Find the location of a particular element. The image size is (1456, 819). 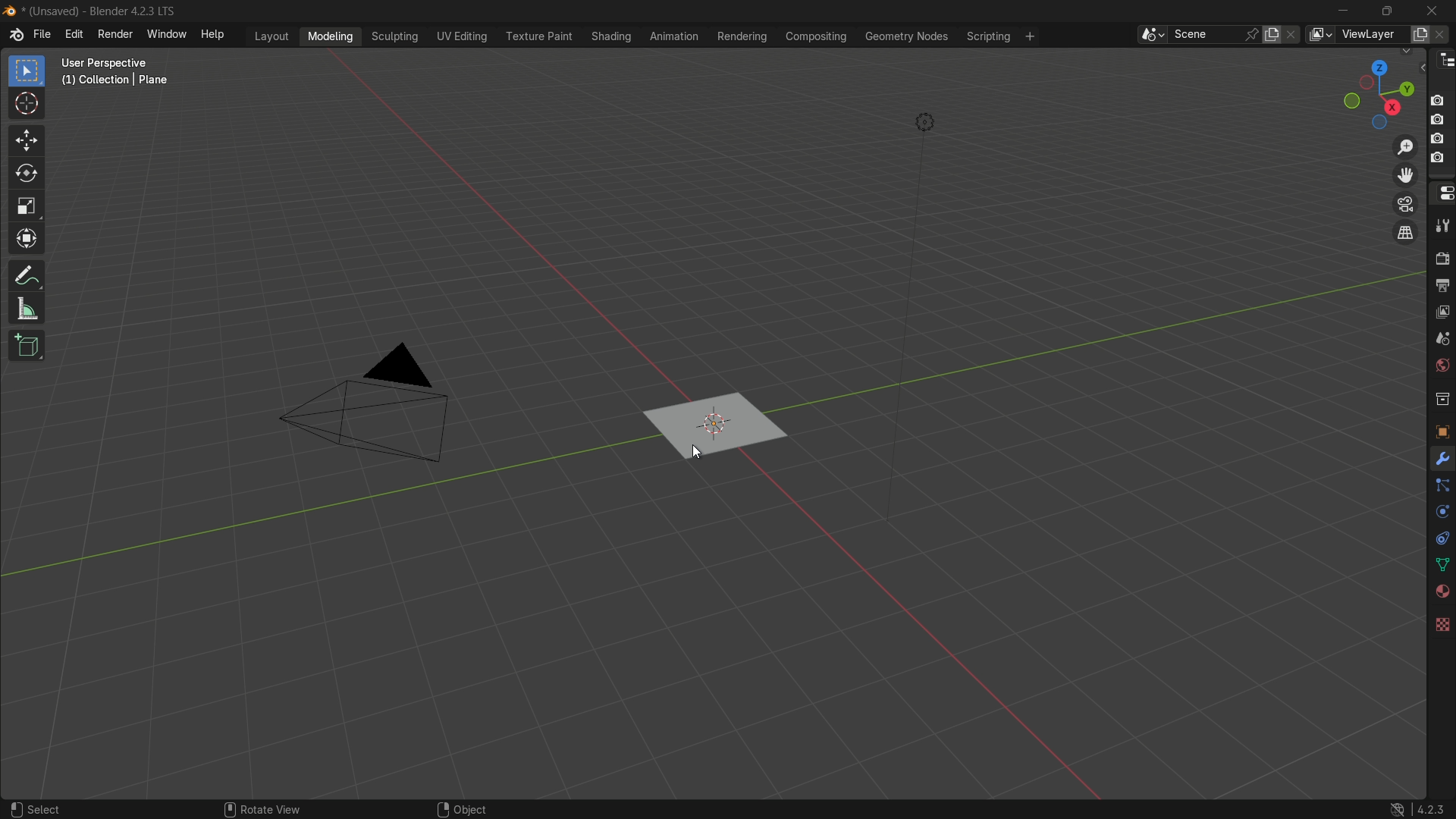

tools is located at coordinates (1442, 227).